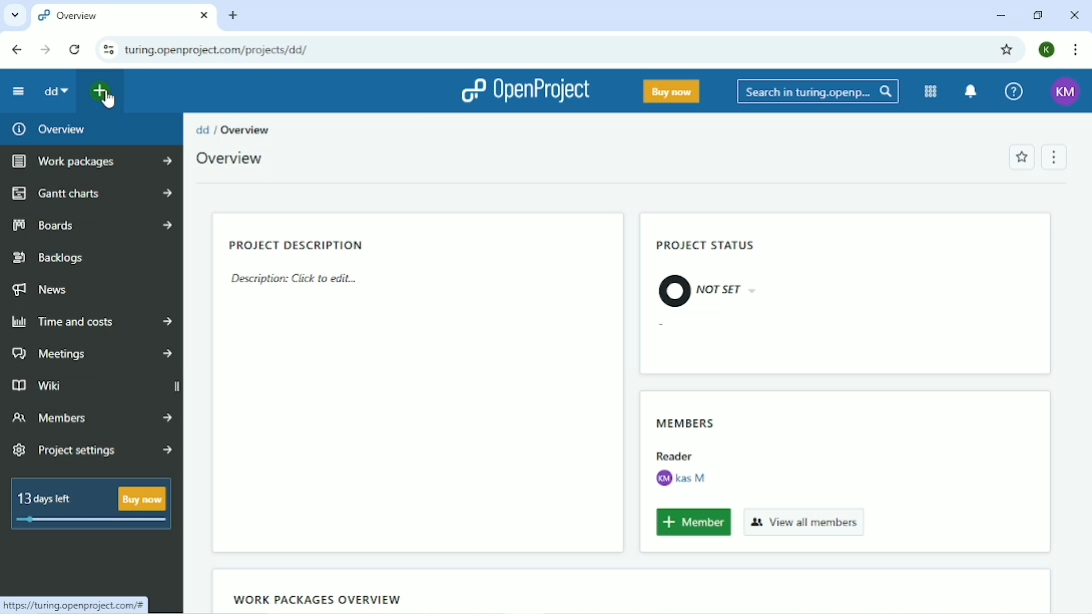 This screenshot has width=1092, height=614. Describe the element at coordinates (1021, 157) in the screenshot. I see `Add to favorites` at that location.